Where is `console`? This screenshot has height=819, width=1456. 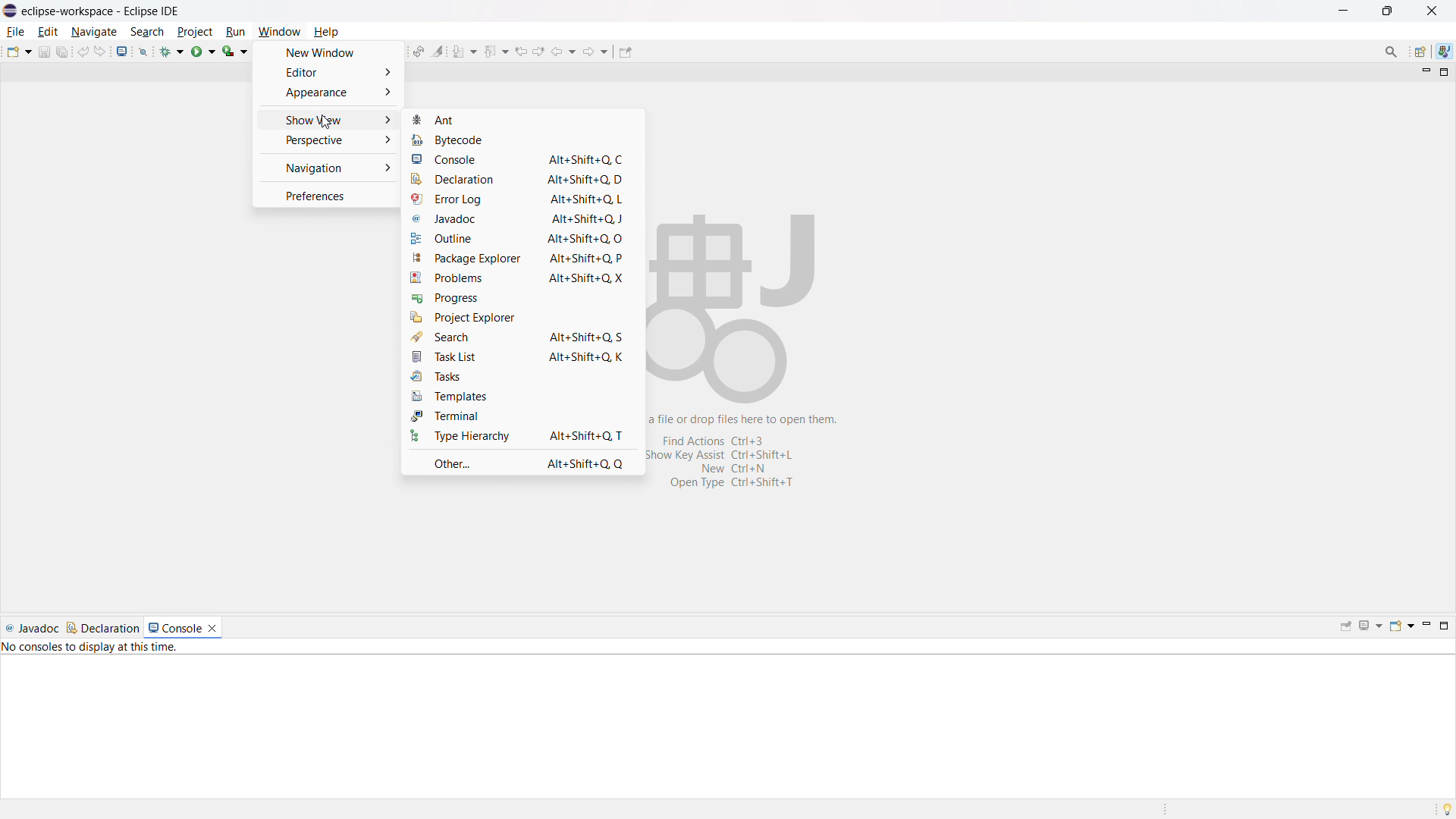 console is located at coordinates (174, 627).